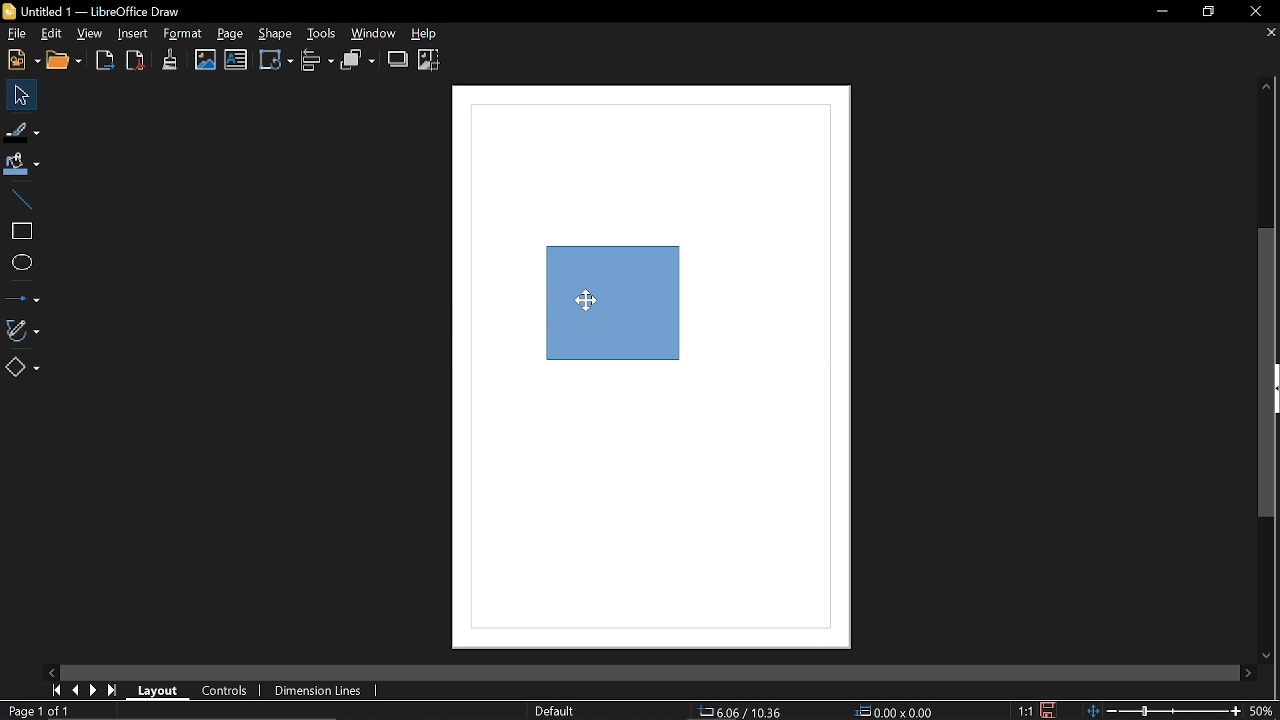 Image resolution: width=1280 pixels, height=720 pixels. What do you see at coordinates (56, 691) in the screenshot?
I see `First page` at bounding box center [56, 691].